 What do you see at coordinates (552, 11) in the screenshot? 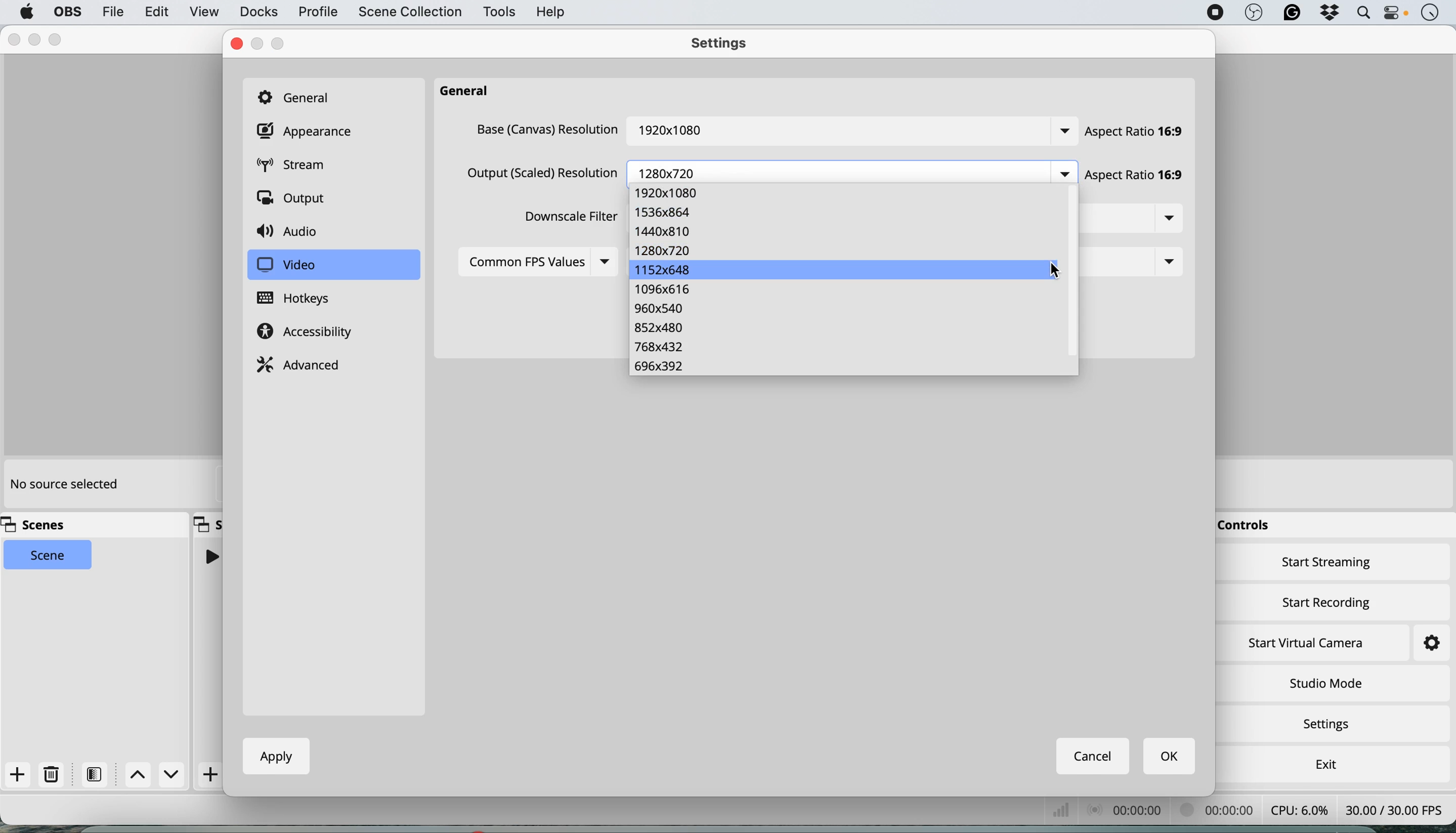
I see `help` at bounding box center [552, 11].